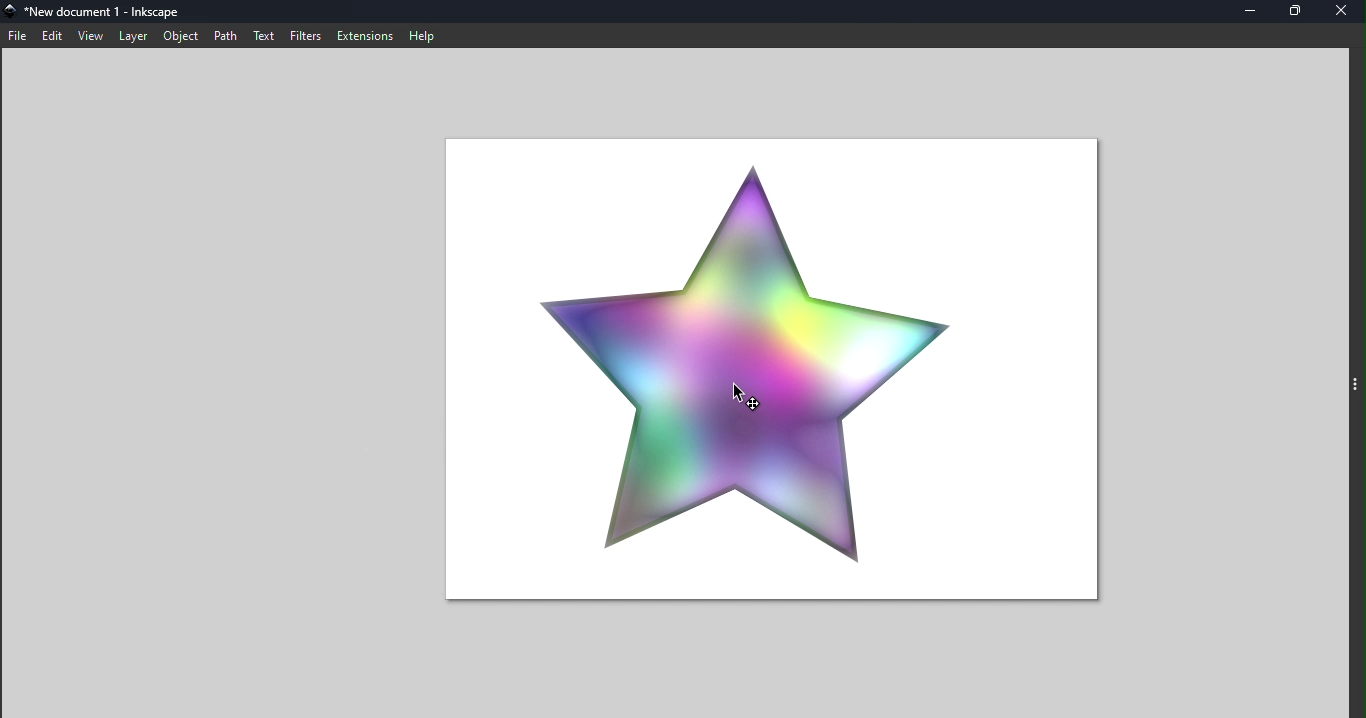  What do you see at coordinates (1343, 11) in the screenshot?
I see `Close` at bounding box center [1343, 11].